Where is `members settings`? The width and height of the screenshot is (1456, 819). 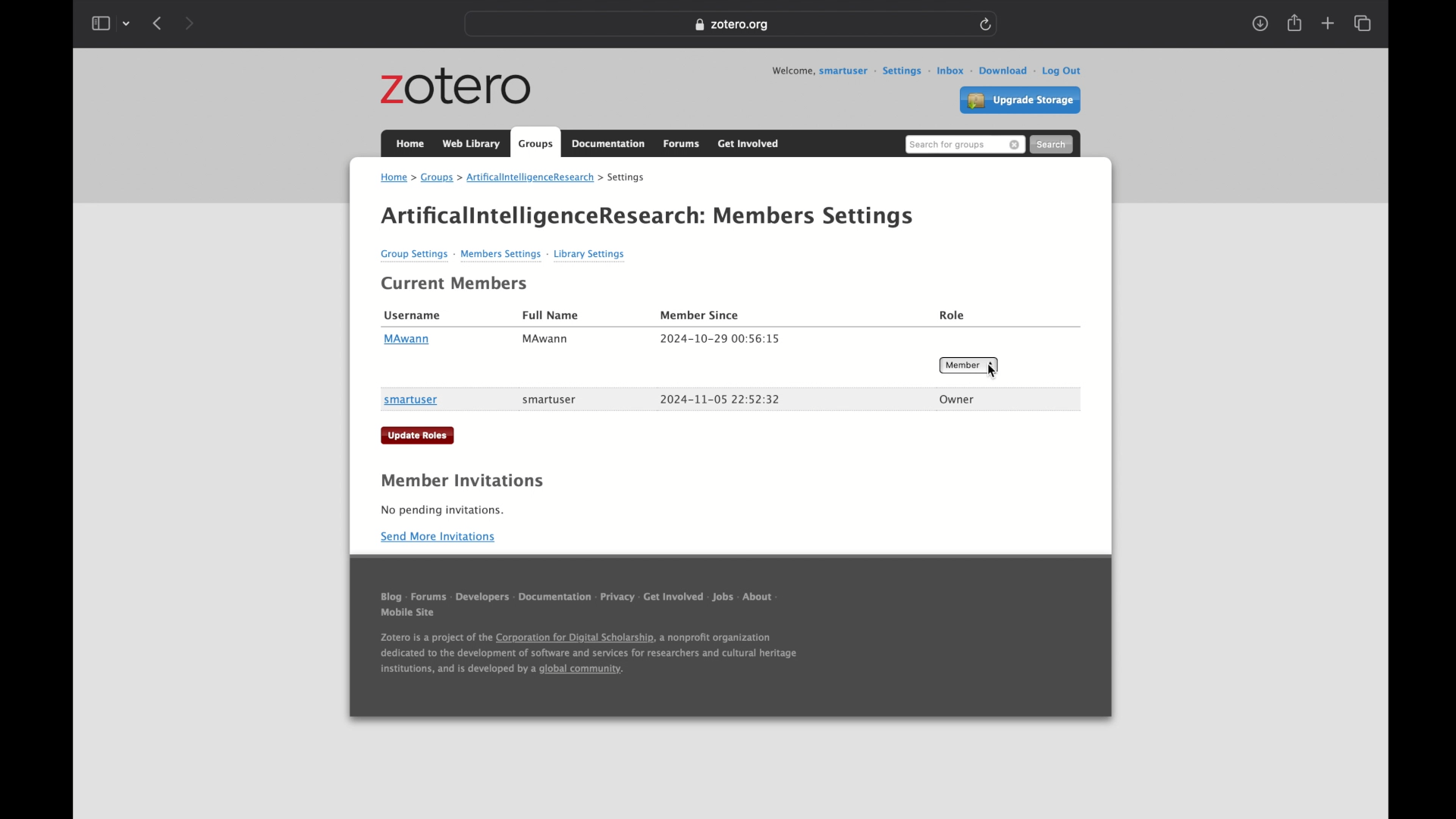
members settings is located at coordinates (815, 217).